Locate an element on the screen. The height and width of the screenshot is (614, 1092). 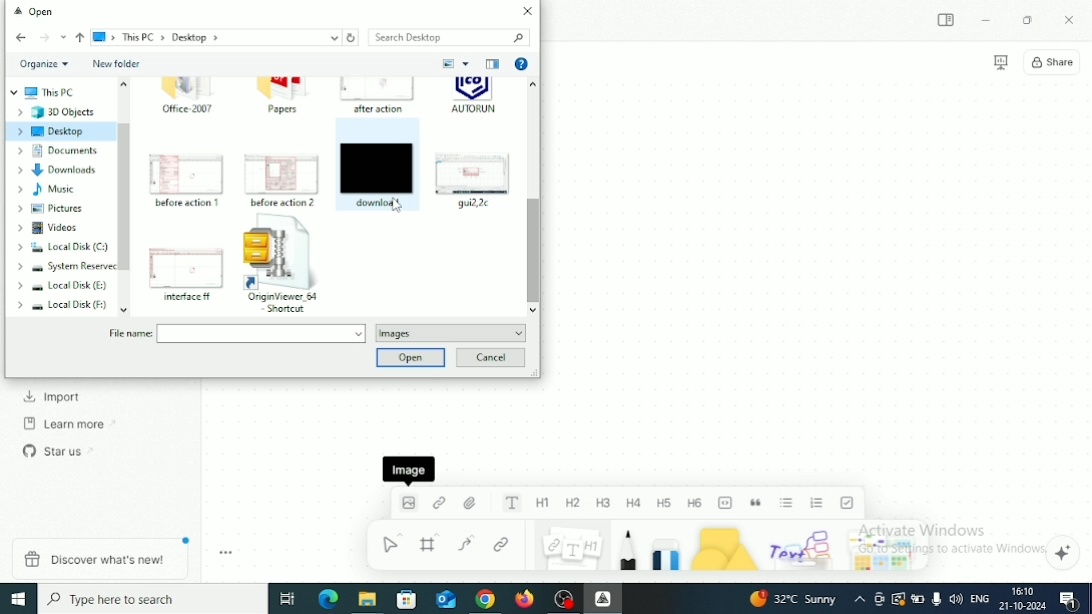
Note is located at coordinates (571, 547).